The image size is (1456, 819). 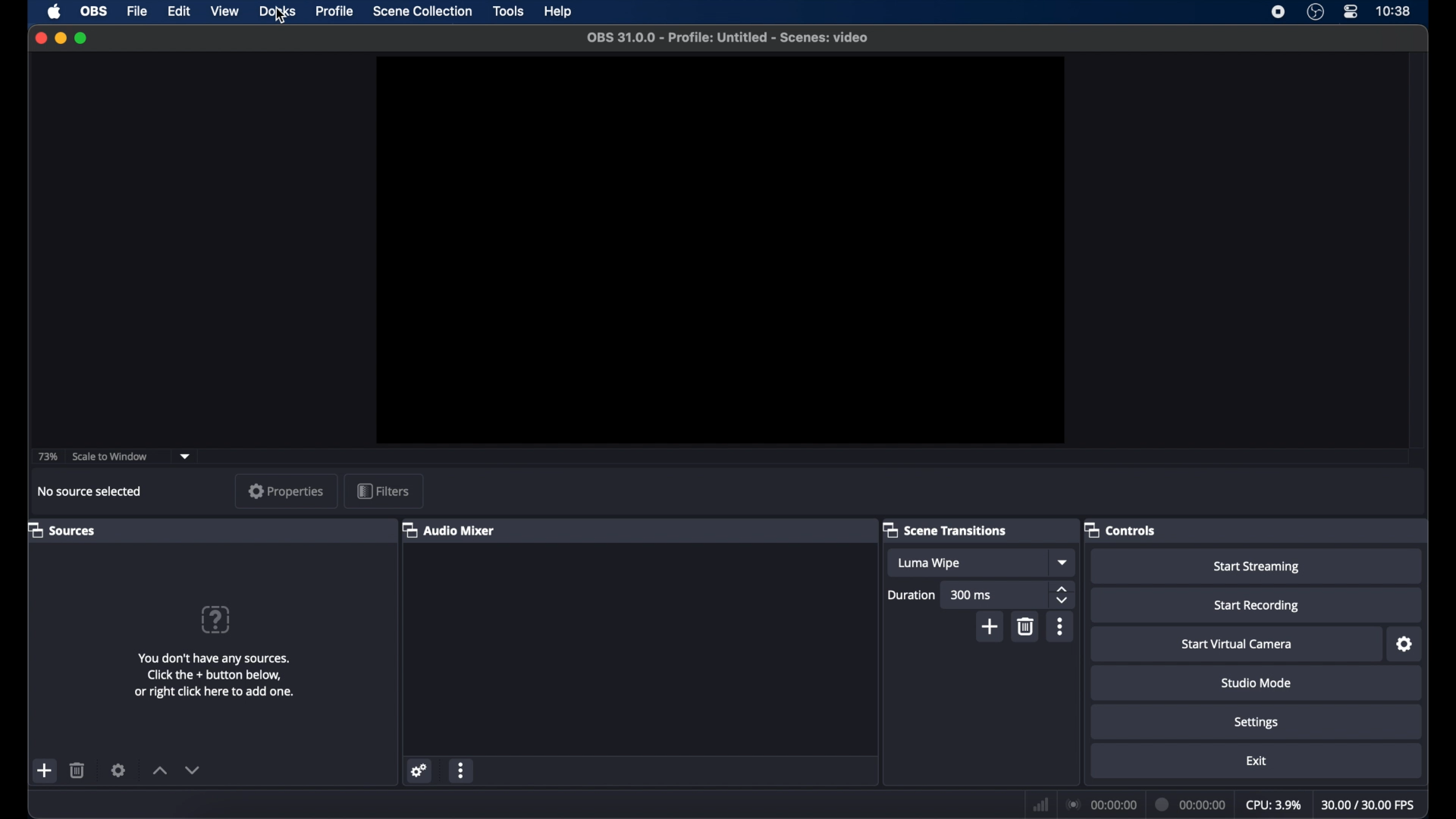 What do you see at coordinates (80, 38) in the screenshot?
I see `maximize` at bounding box center [80, 38].